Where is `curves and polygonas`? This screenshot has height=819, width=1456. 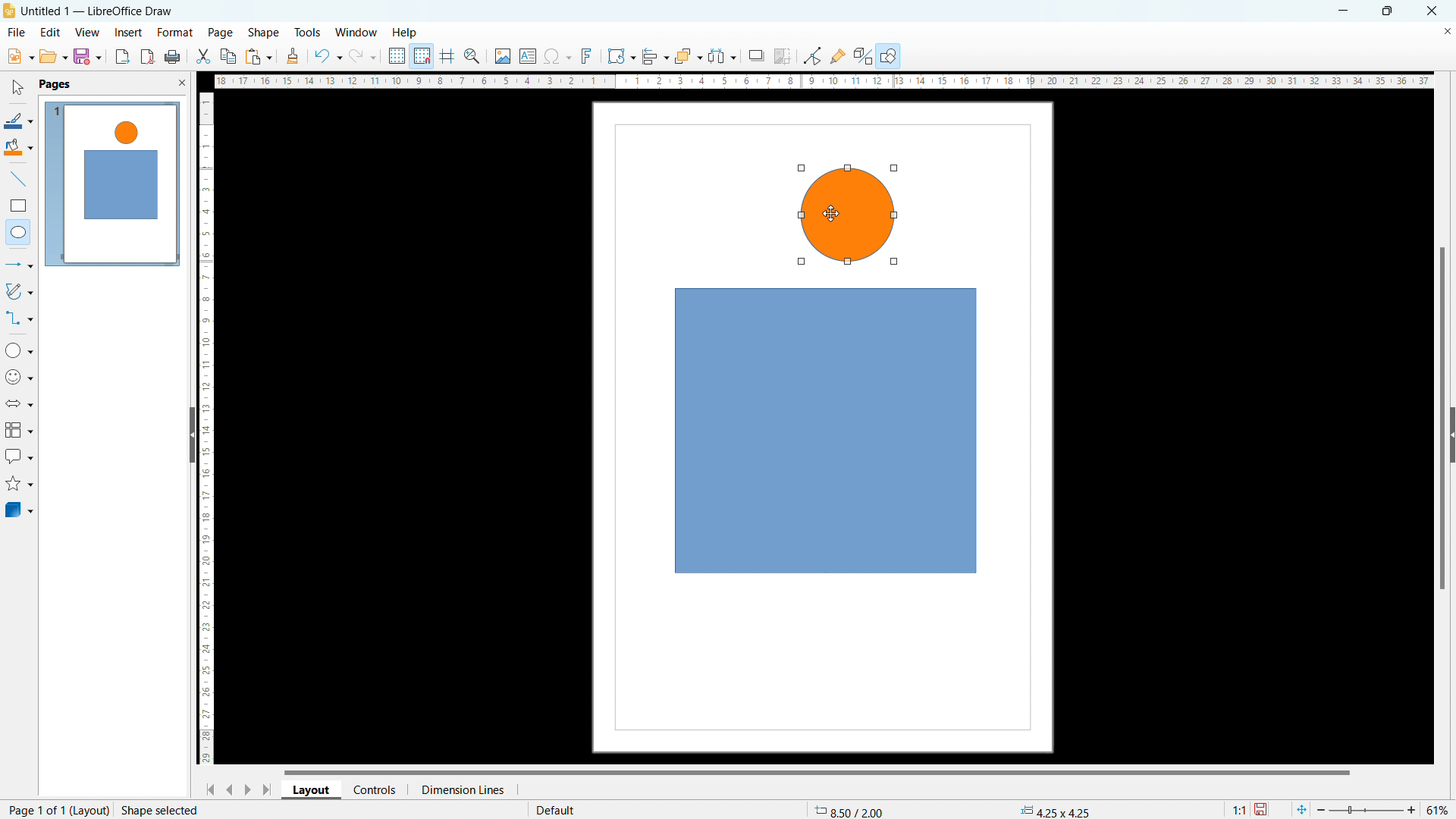 curves and polygonas is located at coordinates (19, 290).